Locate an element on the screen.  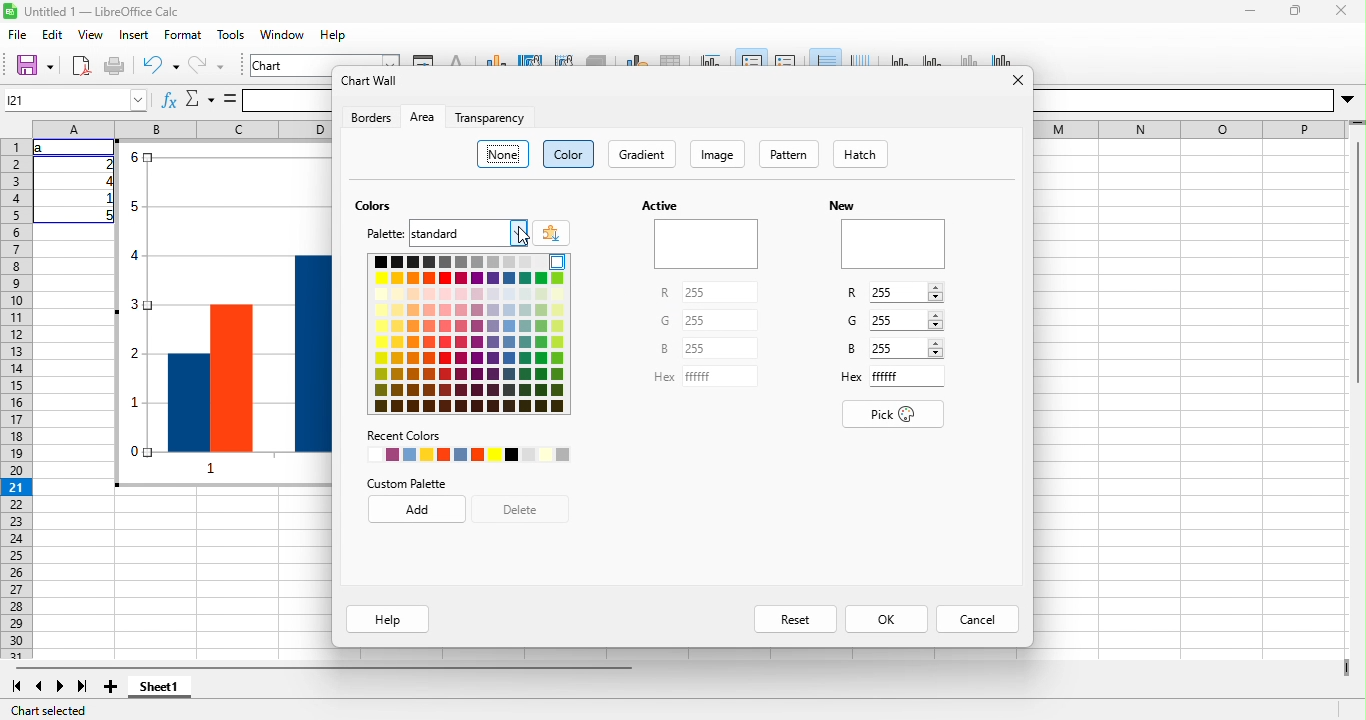
first sheet is located at coordinates (17, 686).